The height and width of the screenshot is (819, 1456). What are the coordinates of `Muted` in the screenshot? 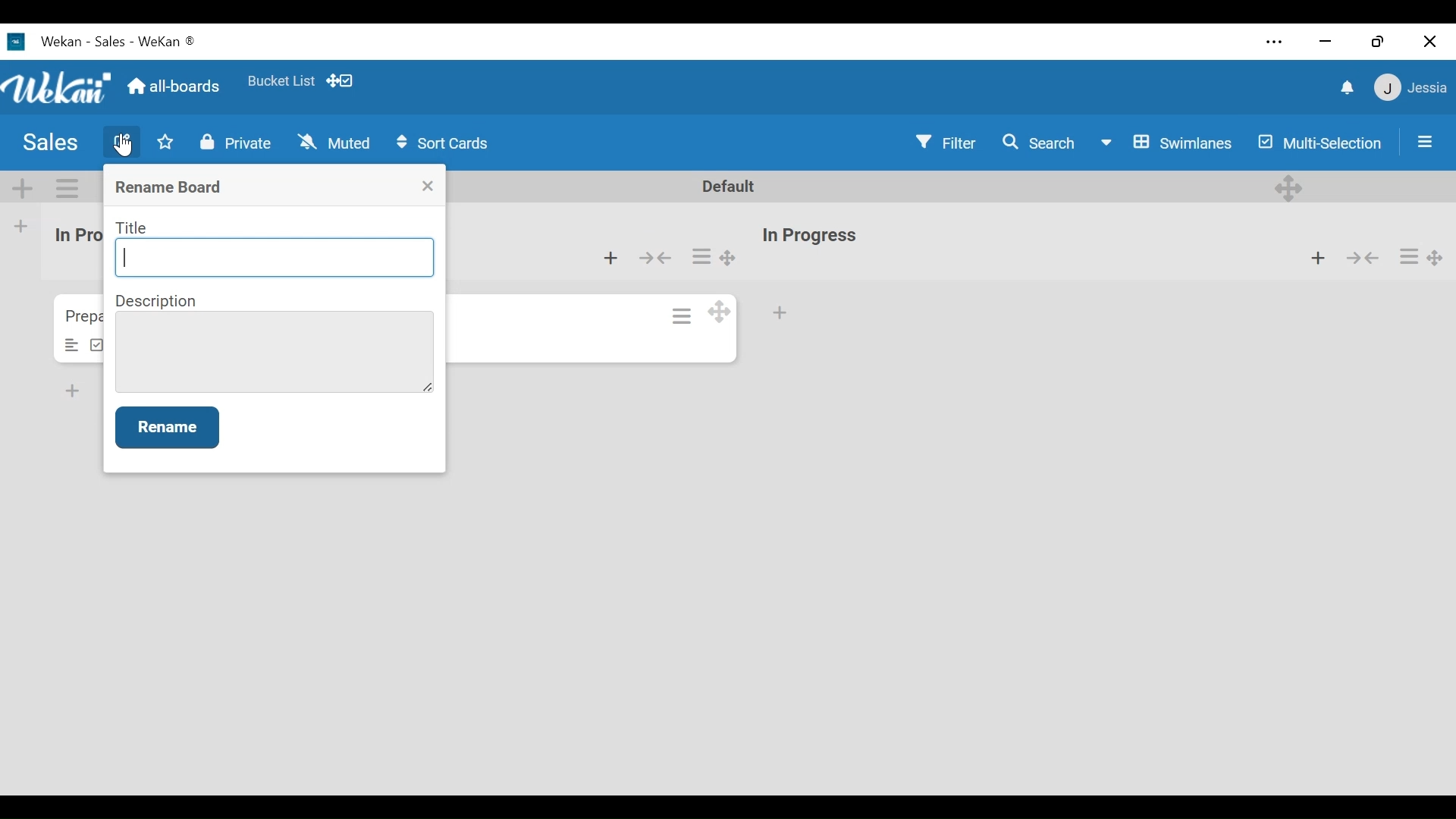 It's located at (335, 143).